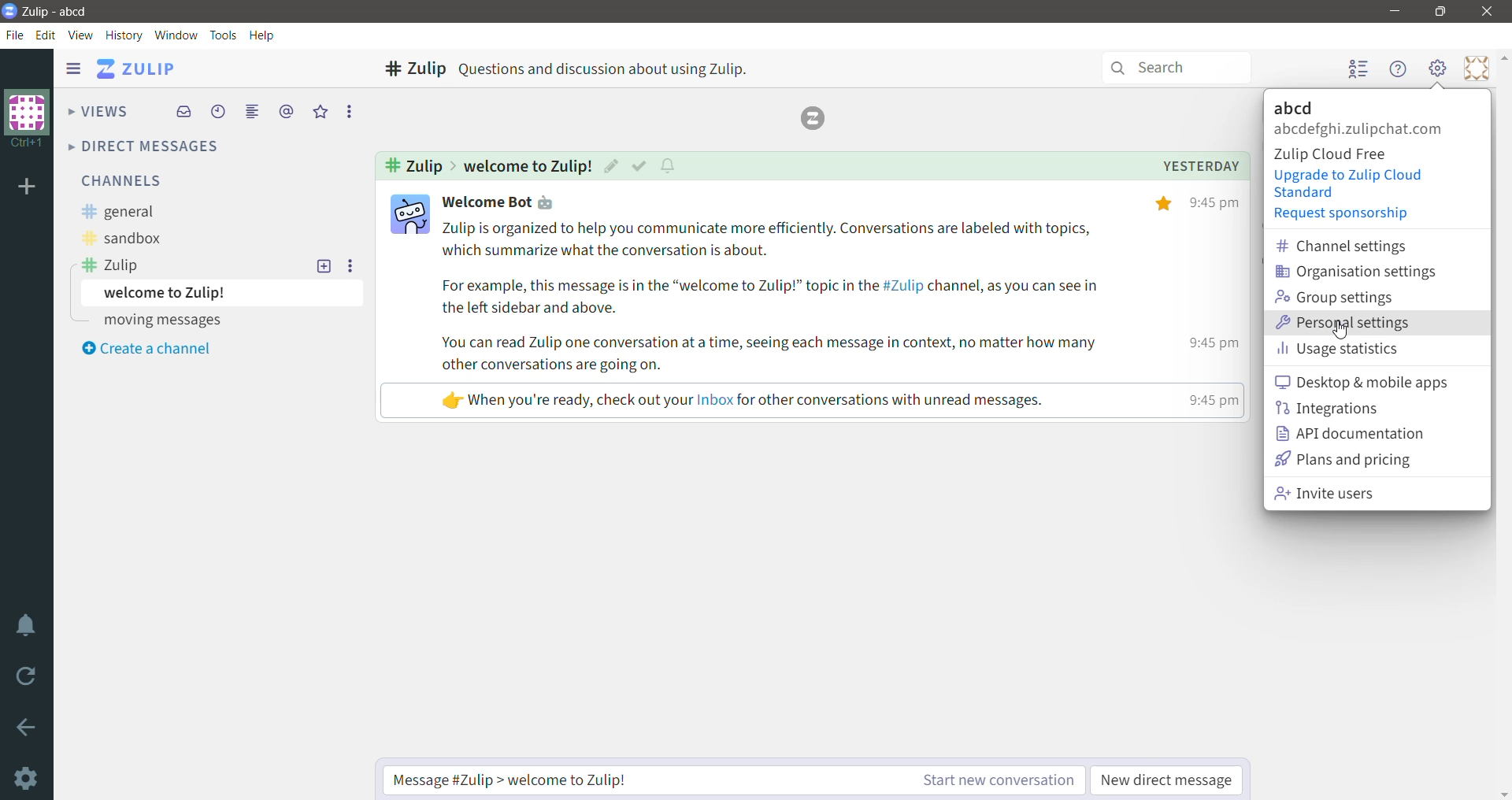 Image resolution: width=1512 pixels, height=800 pixels. I want to click on Zulip is organized to help you communicate more efficiently. Conversations are labeled with topics,
which summarize what the conversation is about.
For example, this message is in the “welcome to Zulip!” topic in the #Zulip channel, as you can see in
the left sidebar and above.
You can read Zulip one conversation at a time, seeing each message in context, no matter how many
other conversations are going on., so click(782, 297).